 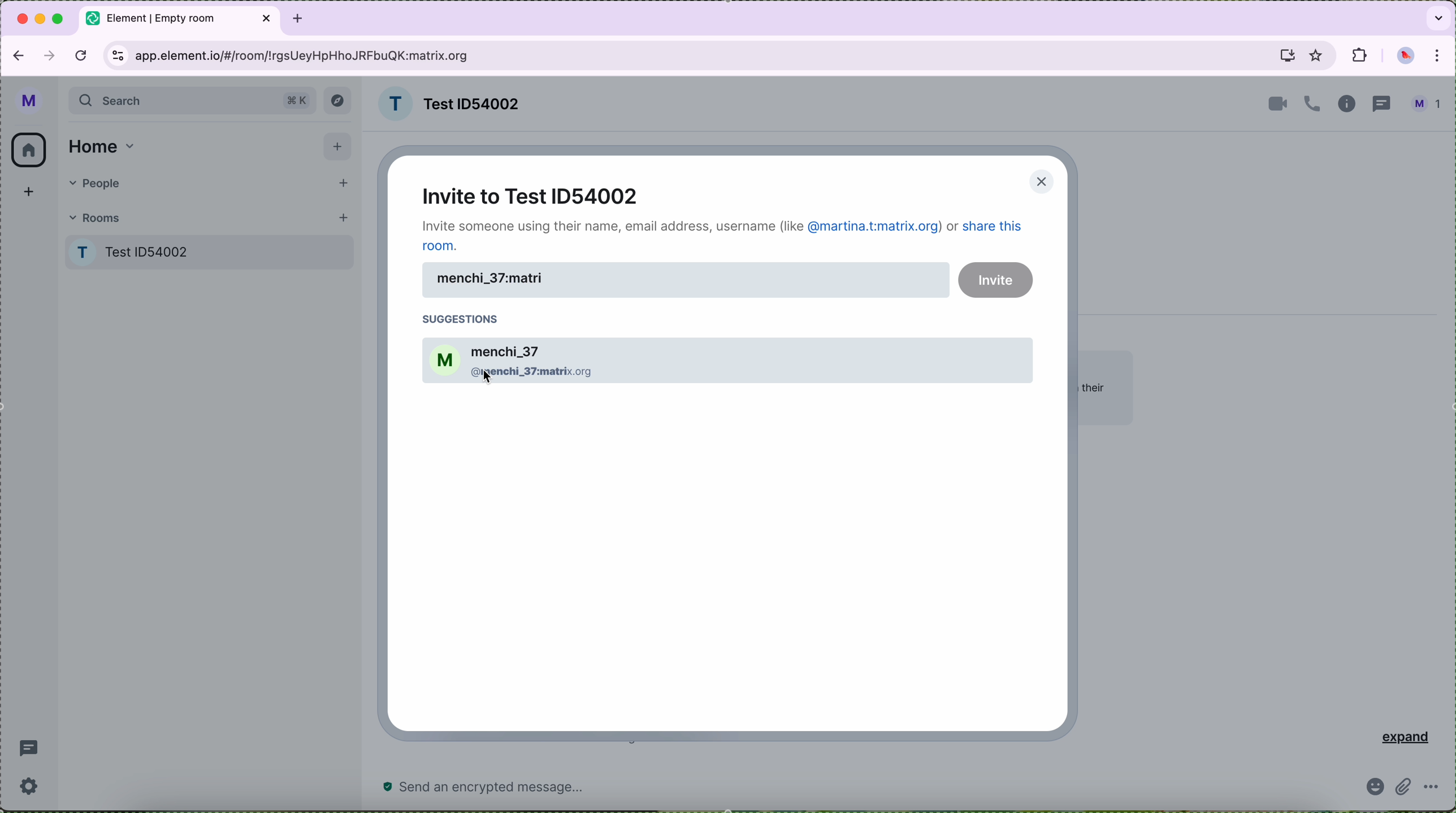 What do you see at coordinates (48, 56) in the screenshot?
I see `navigate foward` at bounding box center [48, 56].